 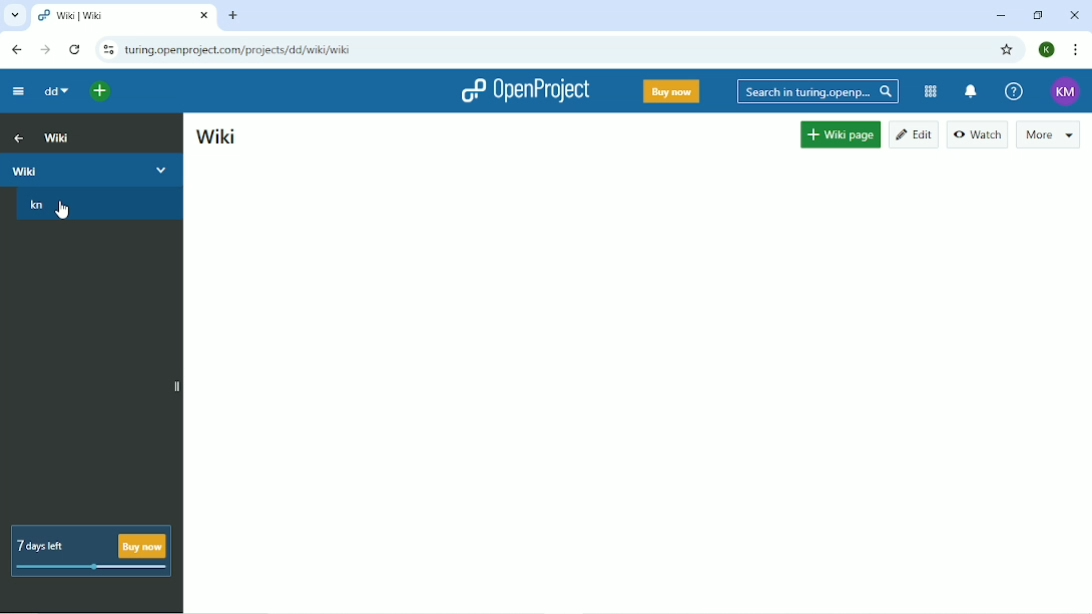 I want to click on Up, so click(x=19, y=137).